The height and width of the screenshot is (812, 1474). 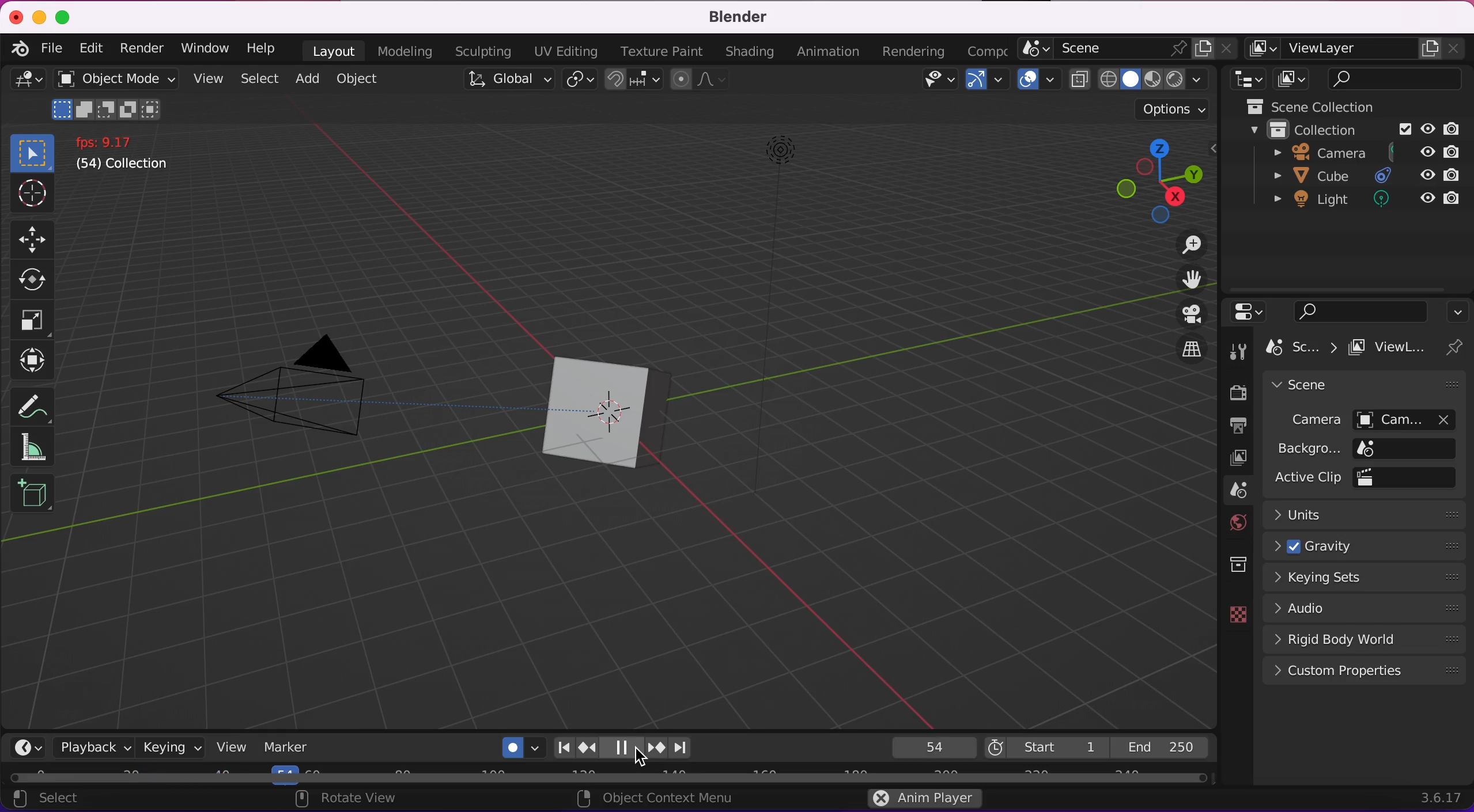 What do you see at coordinates (31, 359) in the screenshot?
I see `transform` at bounding box center [31, 359].